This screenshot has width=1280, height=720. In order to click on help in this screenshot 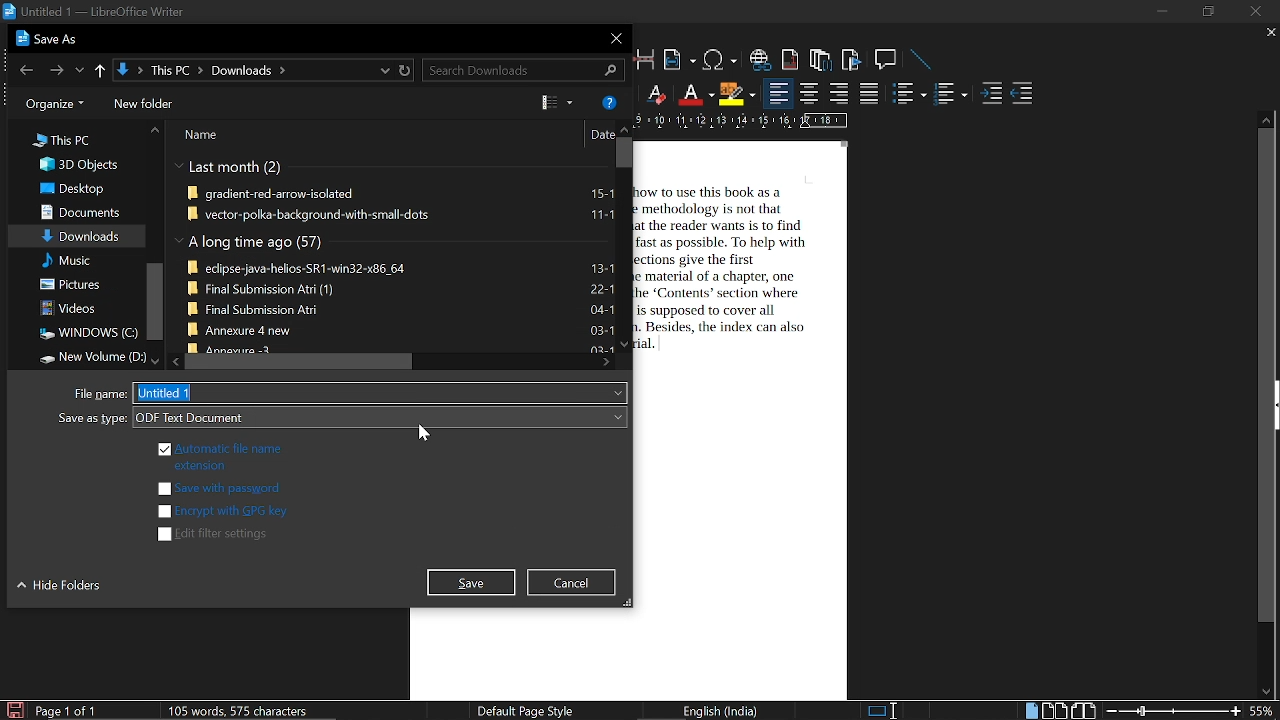, I will do `click(609, 101)`.